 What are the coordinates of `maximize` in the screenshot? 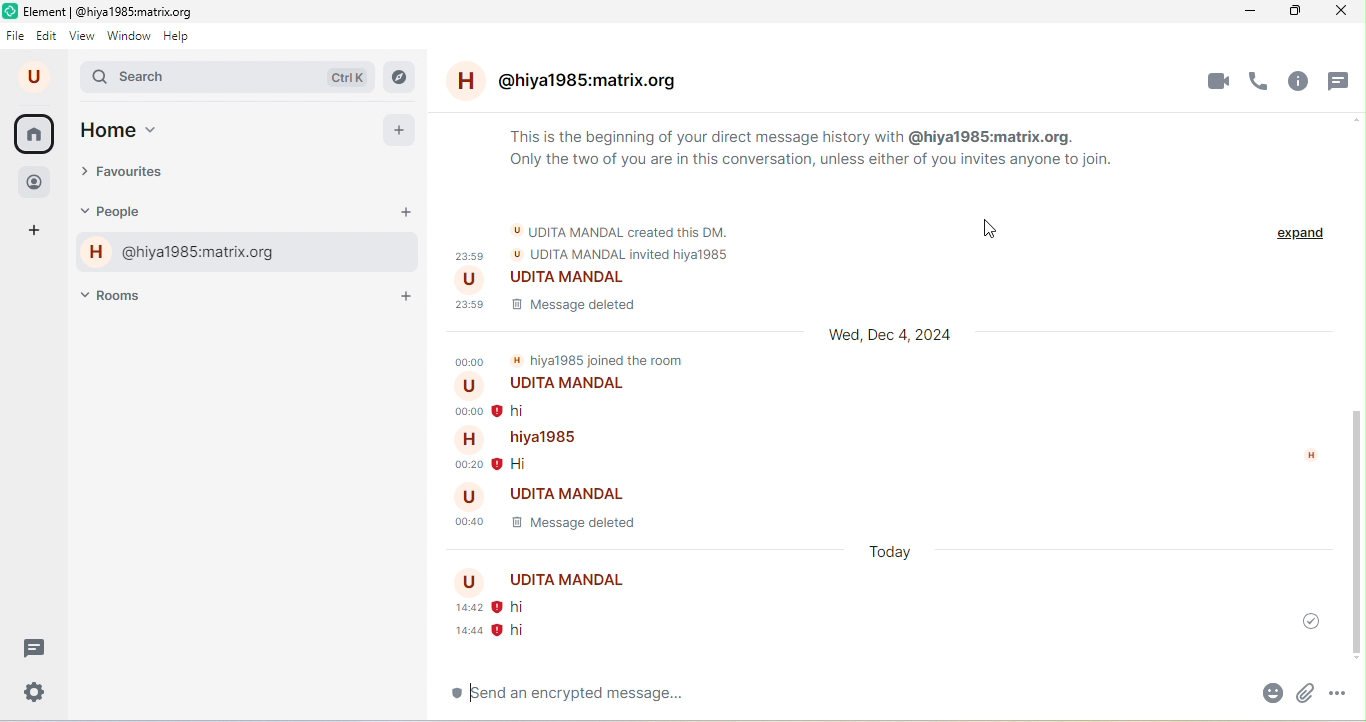 It's located at (1290, 13).